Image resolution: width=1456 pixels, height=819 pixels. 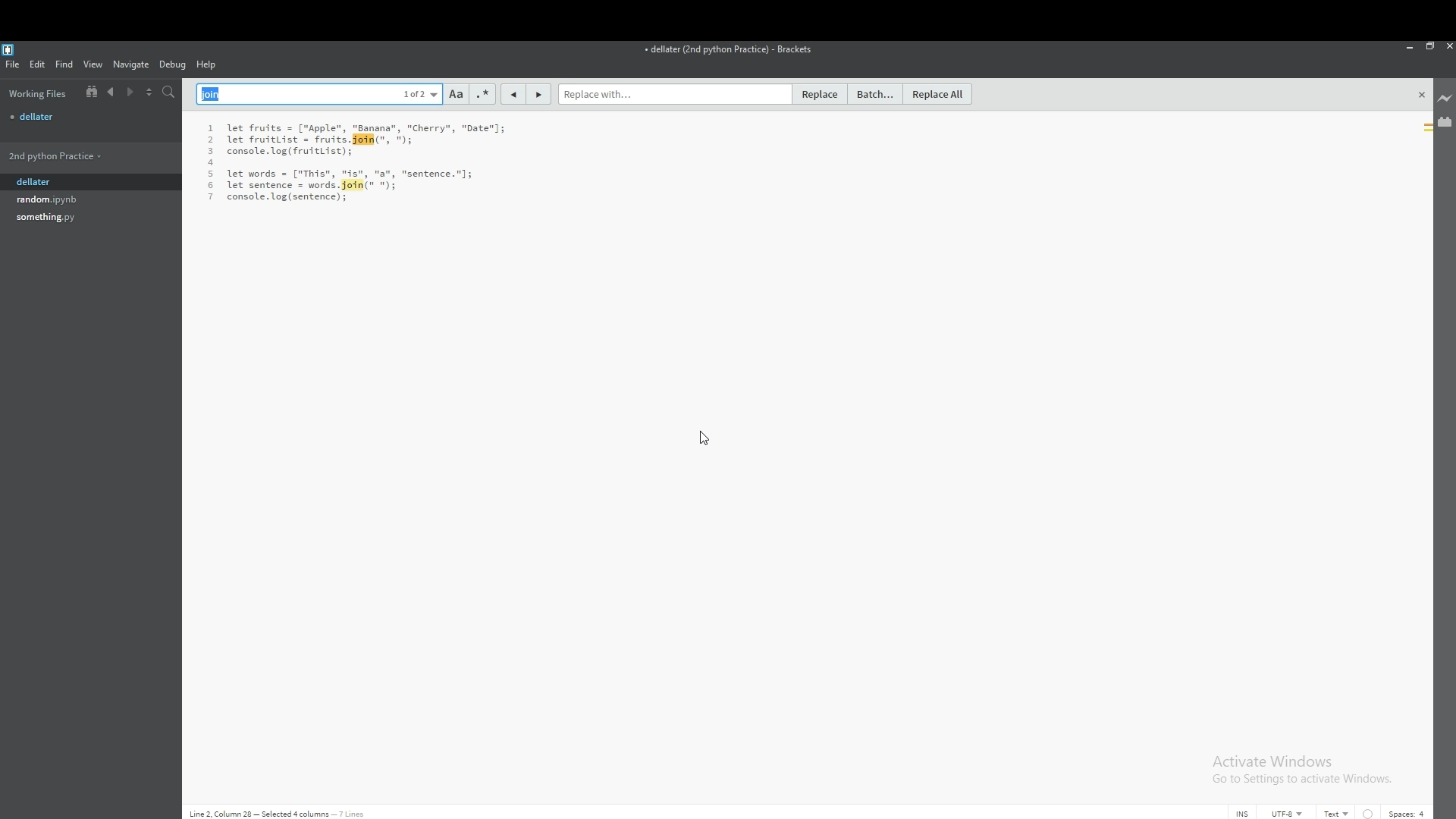 What do you see at coordinates (1409, 812) in the screenshot?
I see `spaces` at bounding box center [1409, 812].